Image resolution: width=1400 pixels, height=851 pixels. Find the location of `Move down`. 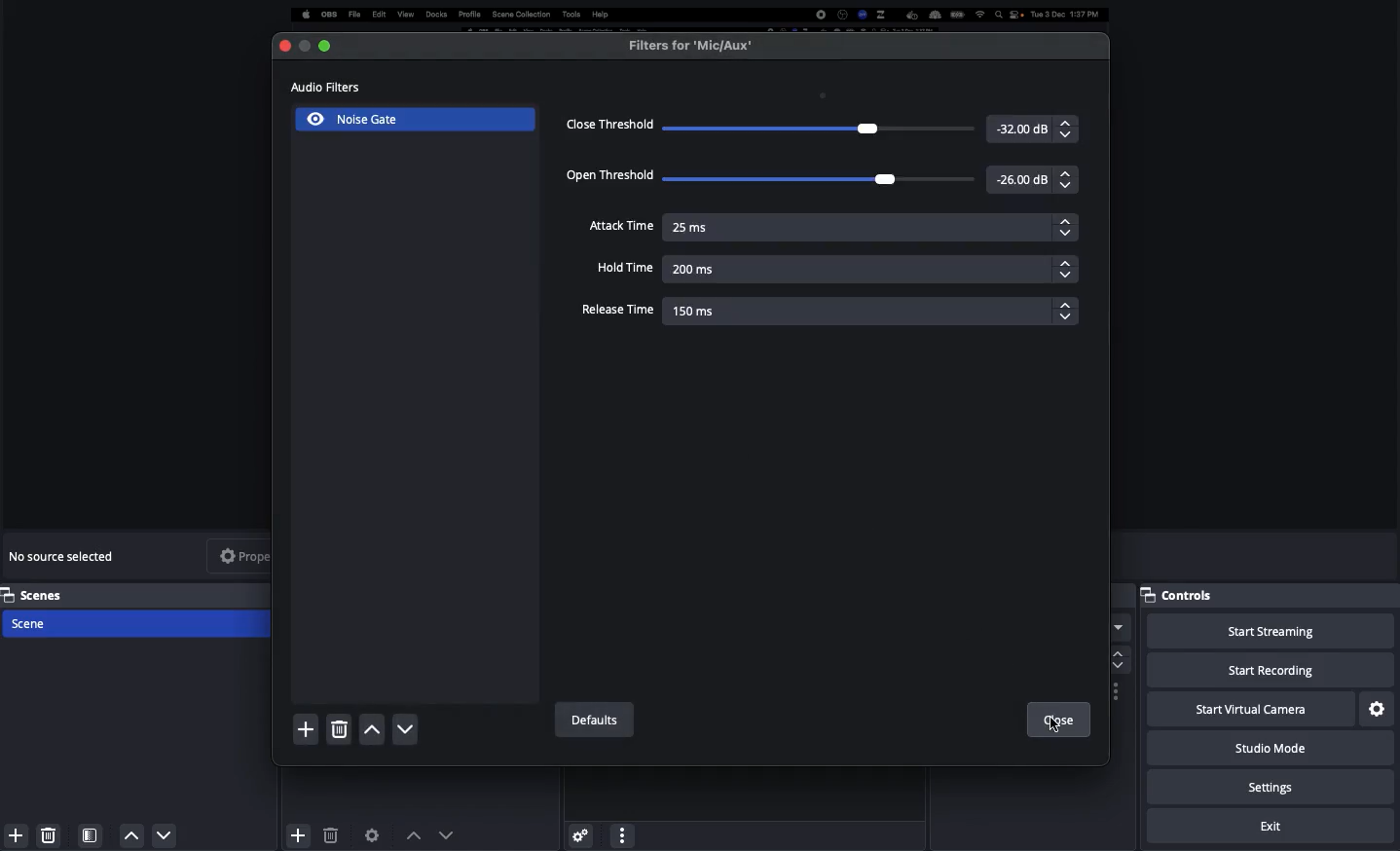

Move down is located at coordinates (447, 834).